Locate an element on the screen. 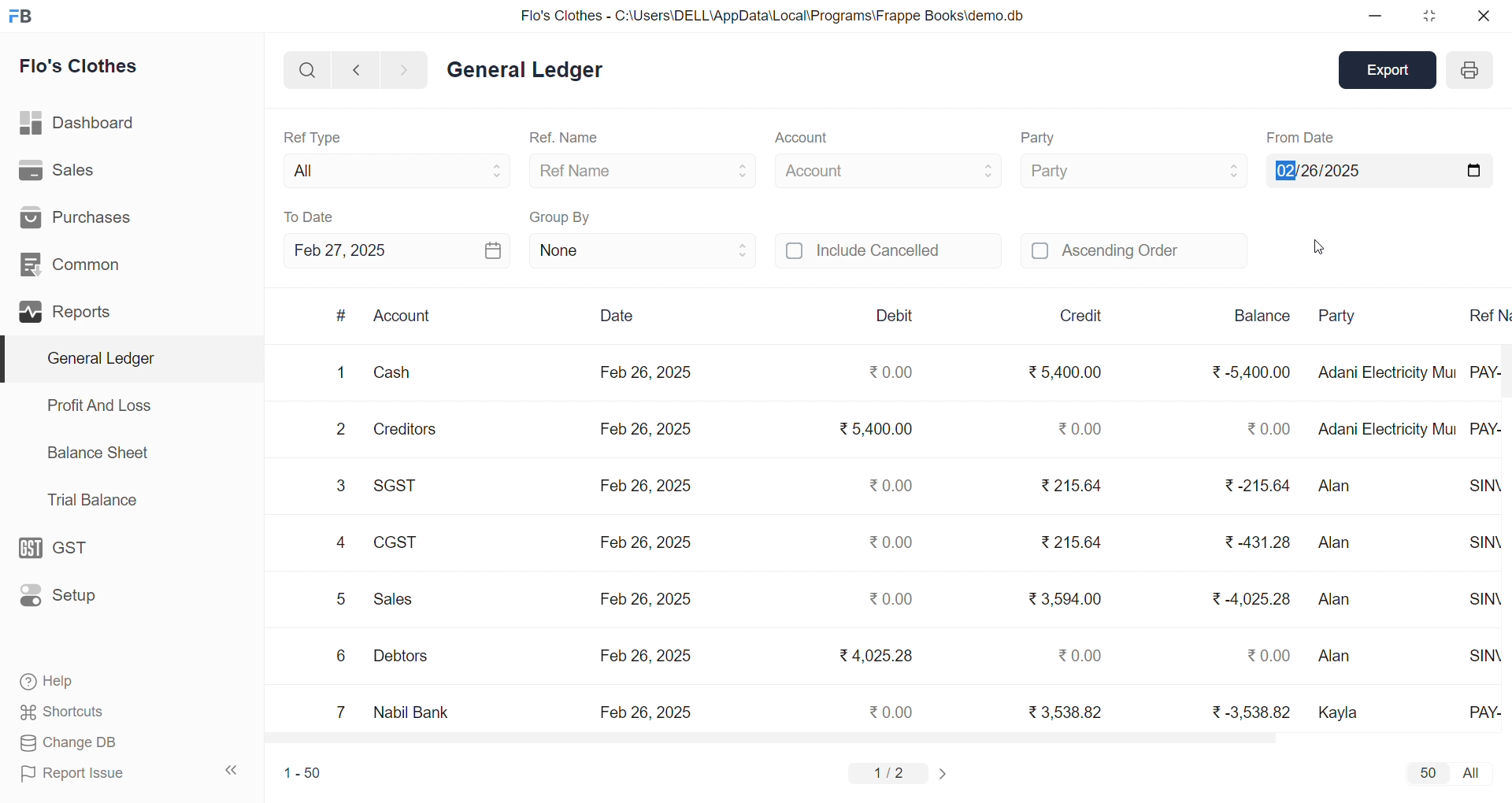  3 is located at coordinates (343, 487).